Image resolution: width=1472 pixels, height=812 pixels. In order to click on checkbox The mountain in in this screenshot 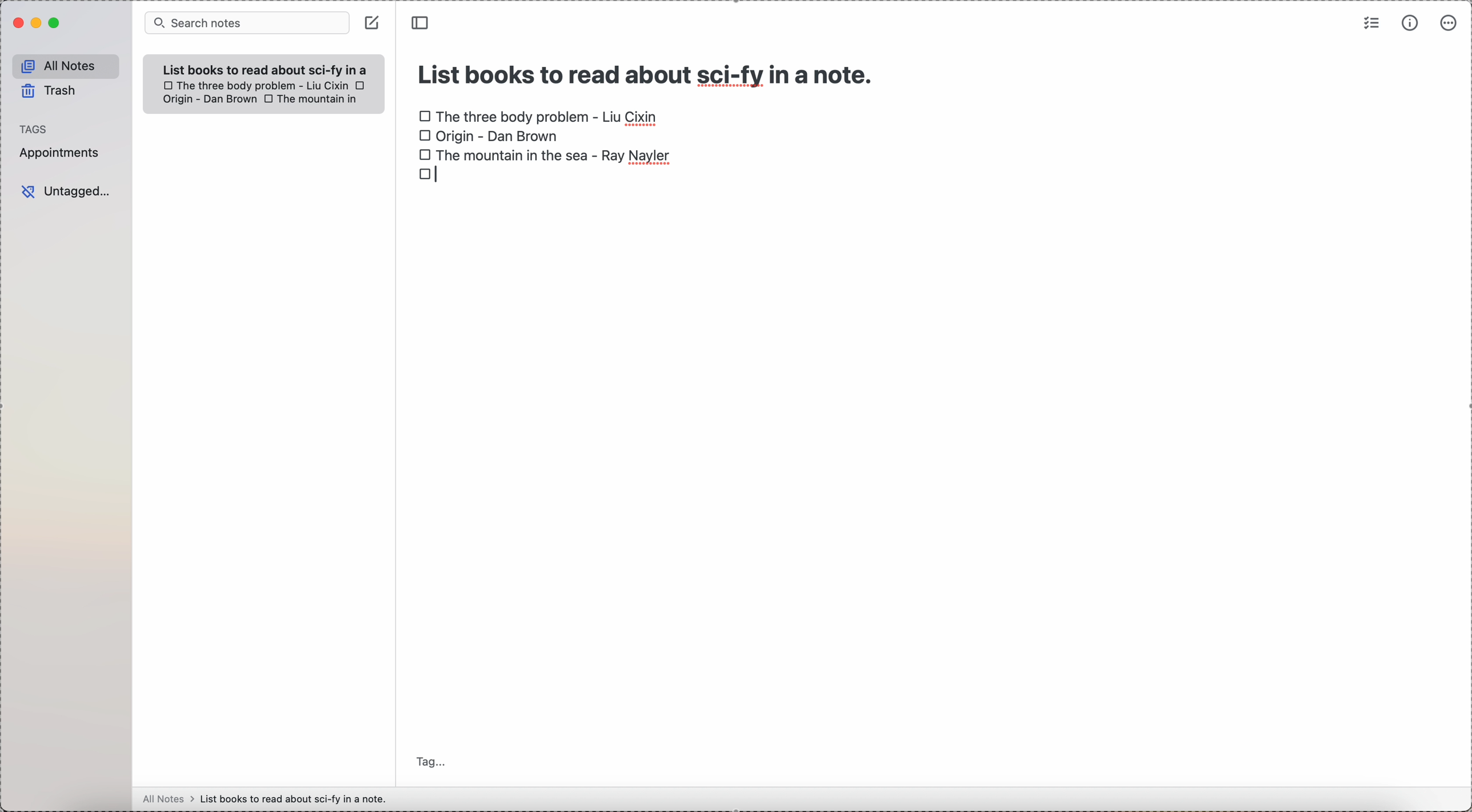, I will do `click(312, 100)`.